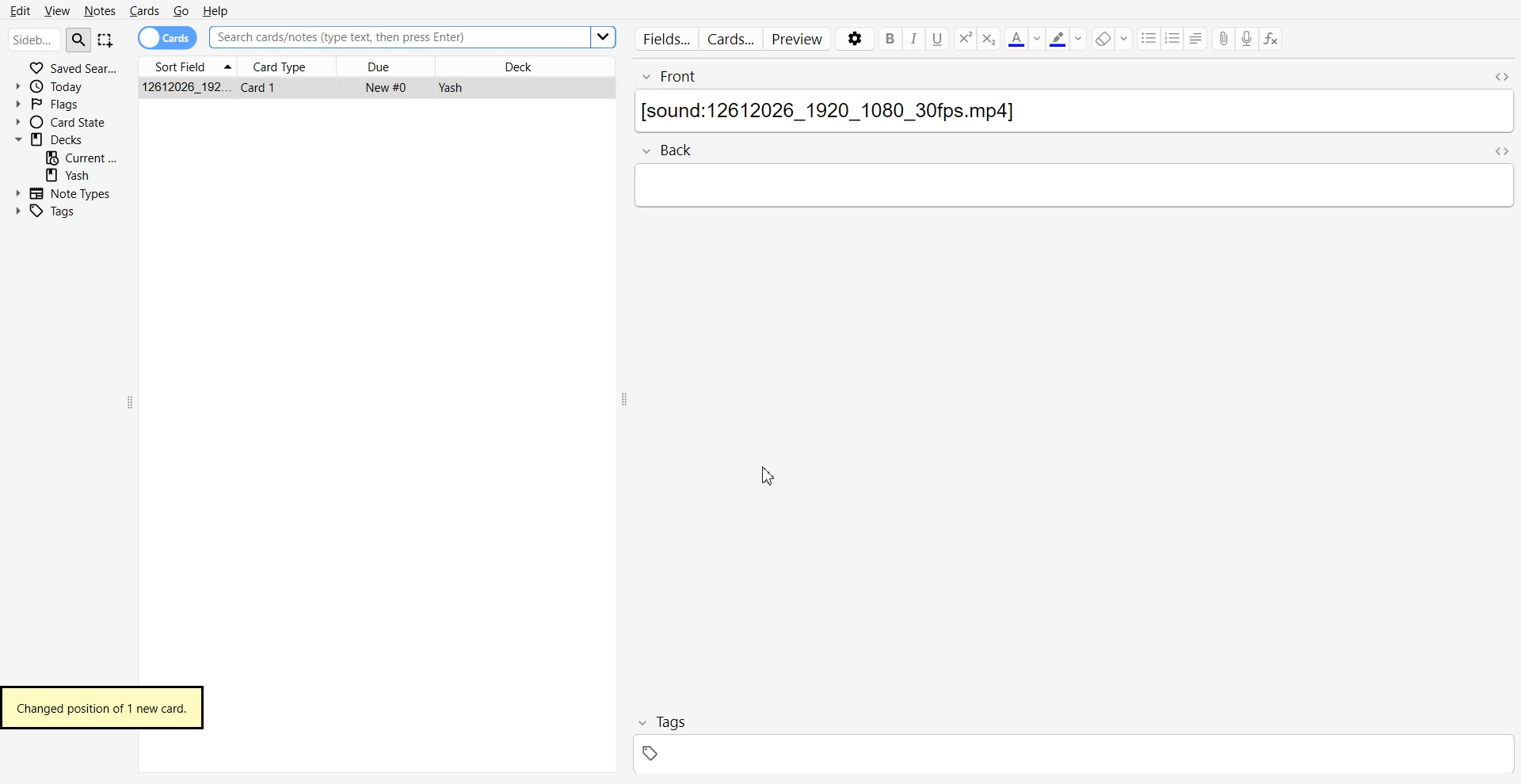 Image resolution: width=1521 pixels, height=784 pixels. I want to click on Changed position of 1 new card, so click(104, 707).